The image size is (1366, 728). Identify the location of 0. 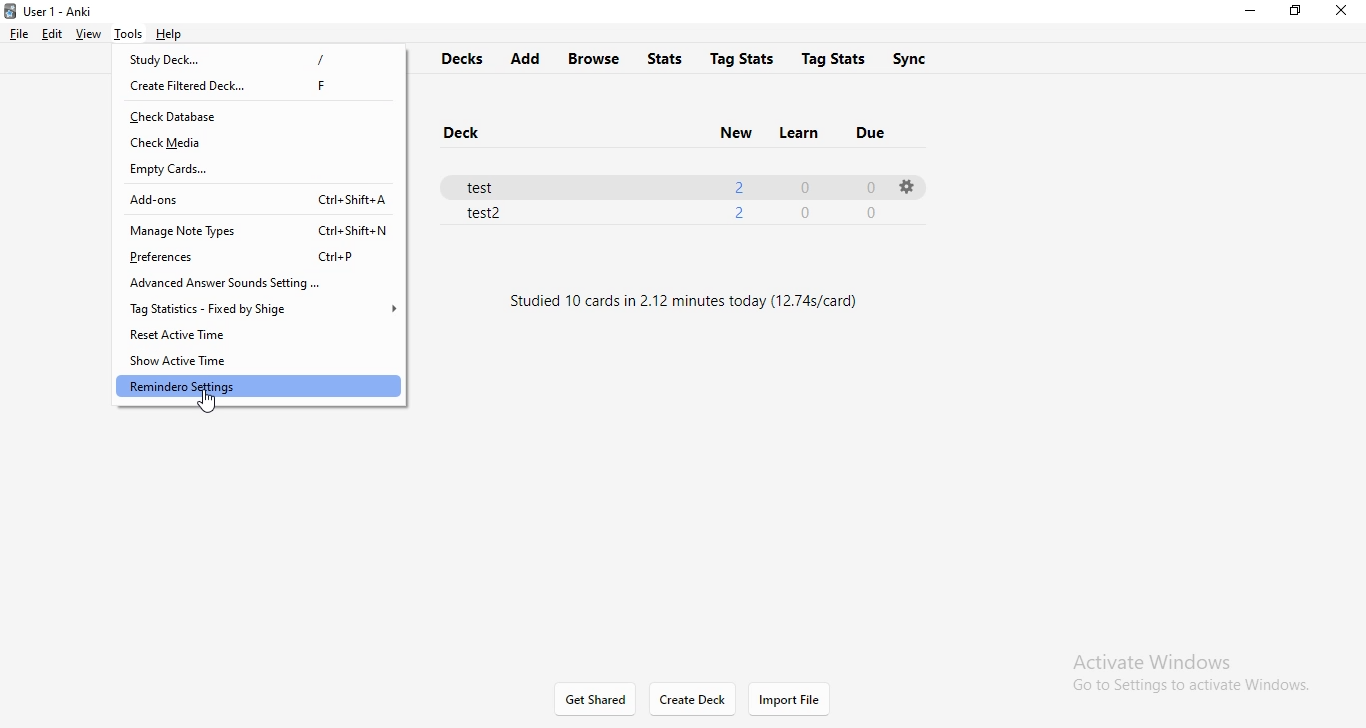
(868, 185).